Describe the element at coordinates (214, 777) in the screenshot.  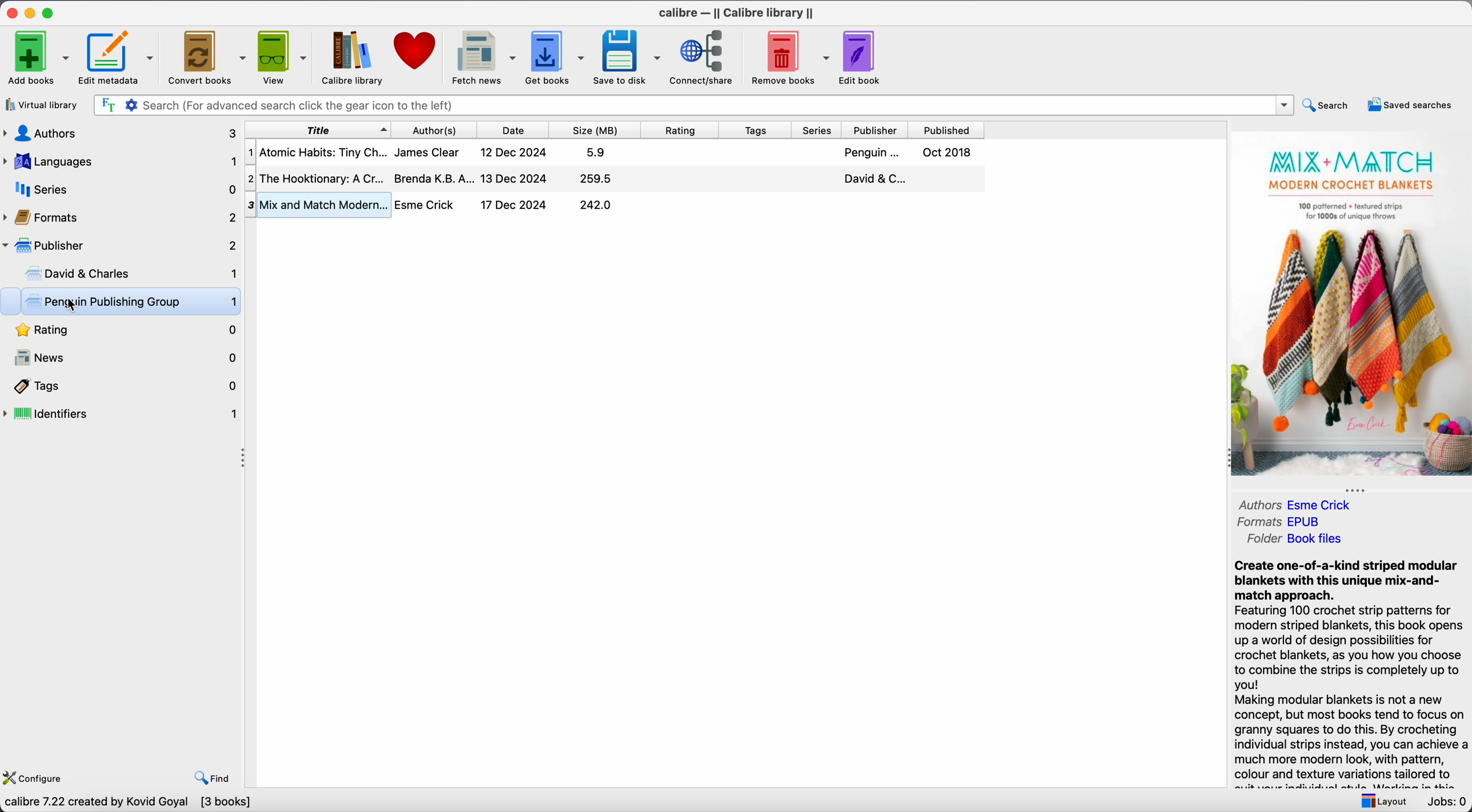
I see `find` at that location.